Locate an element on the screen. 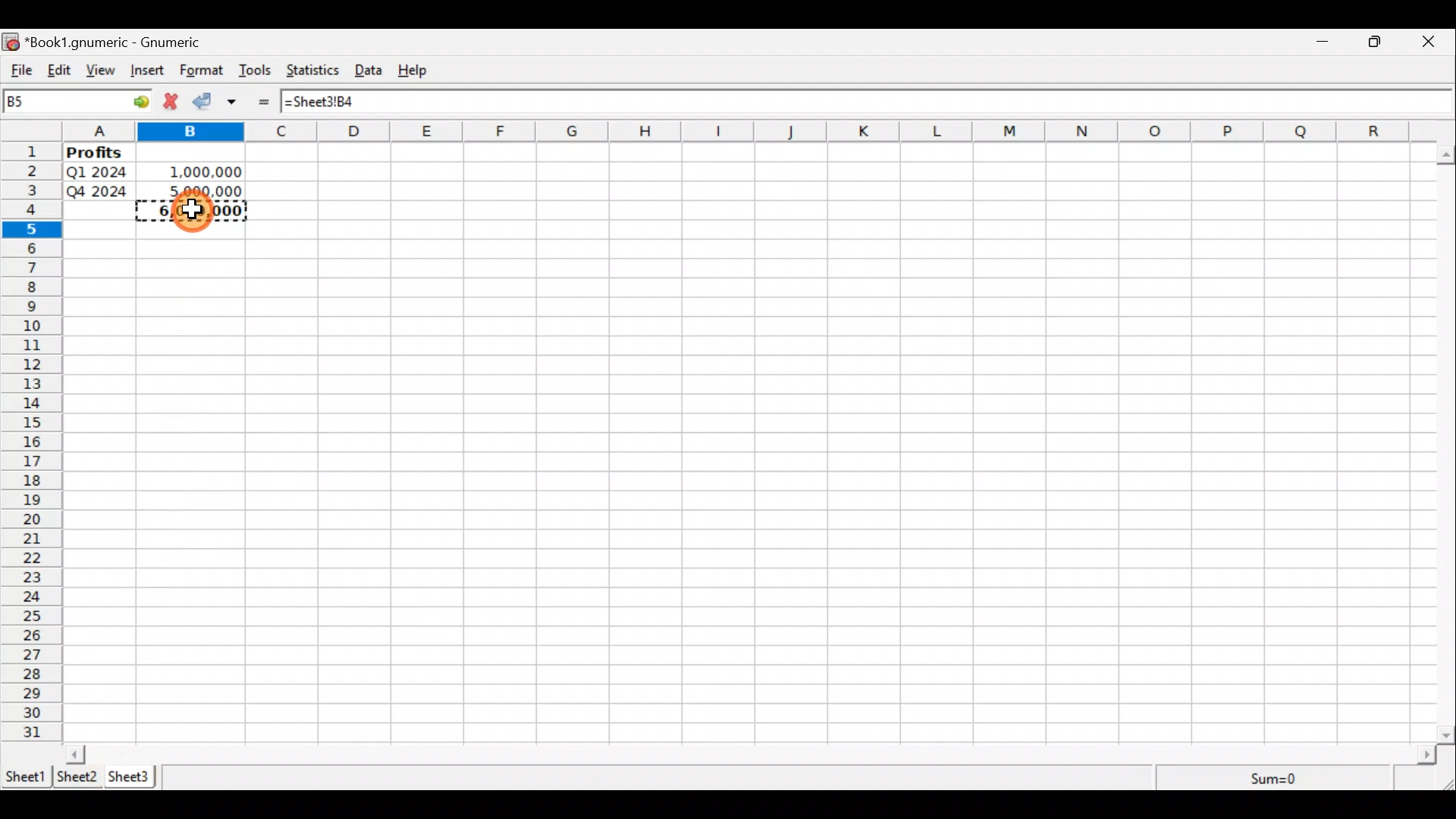  Sheet 2 is located at coordinates (78, 777).